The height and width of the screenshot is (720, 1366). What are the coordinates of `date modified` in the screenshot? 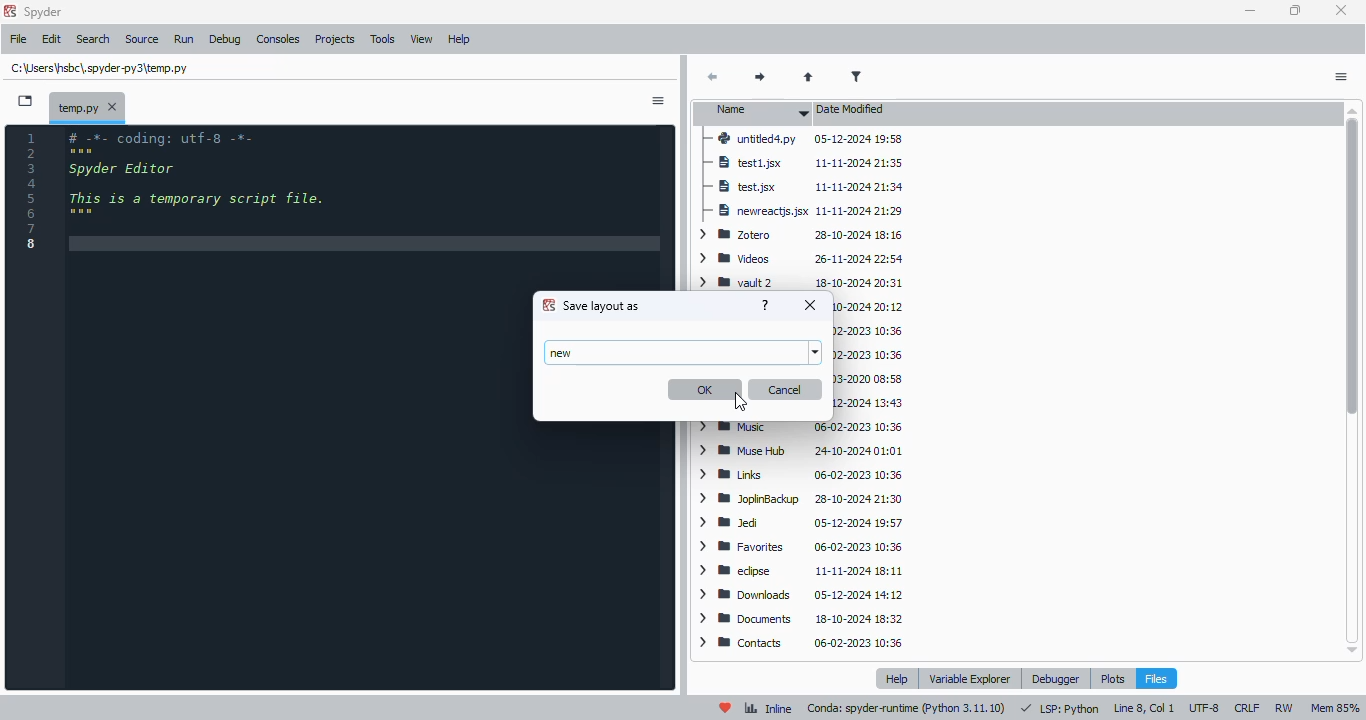 It's located at (854, 110).